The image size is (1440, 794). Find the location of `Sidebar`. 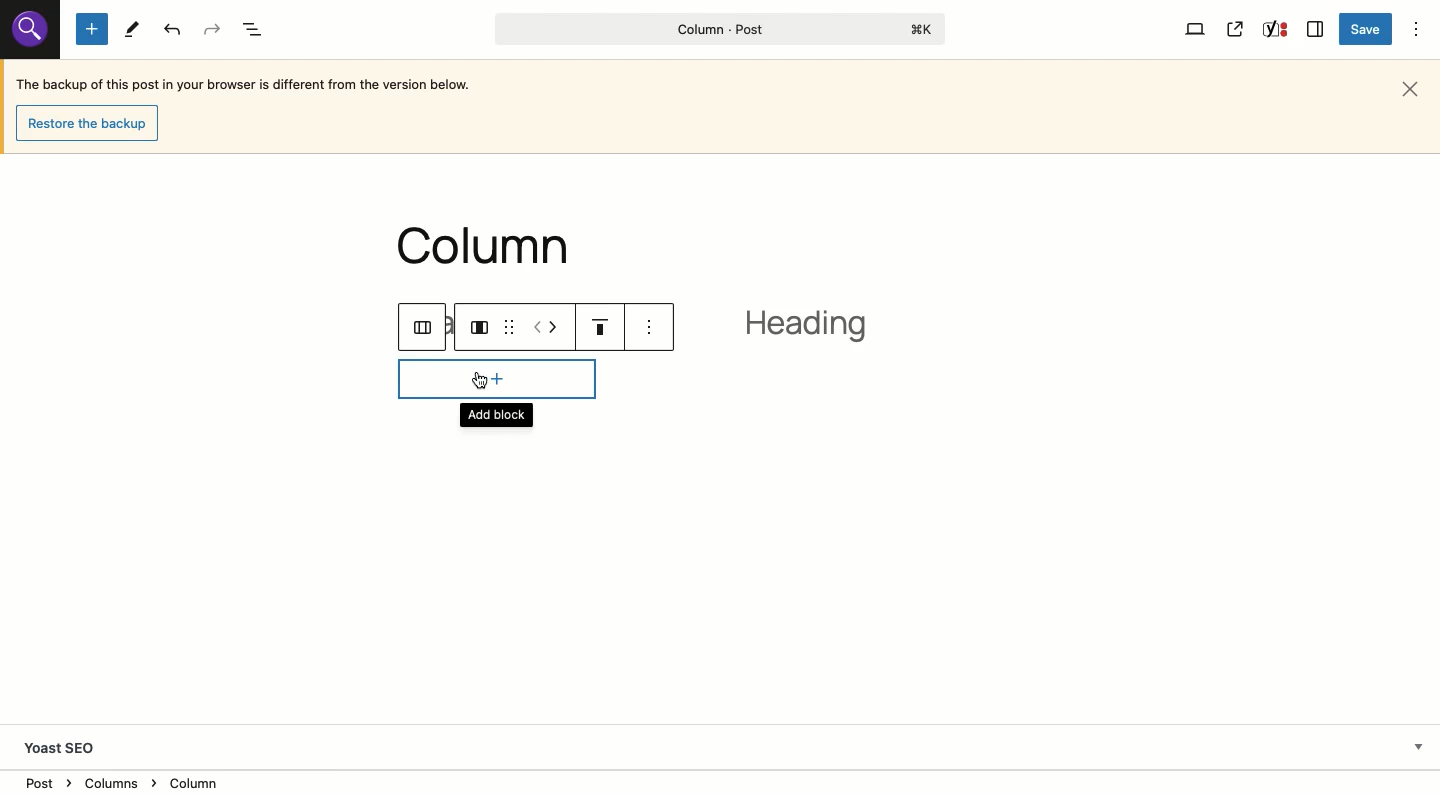

Sidebar is located at coordinates (1316, 27).